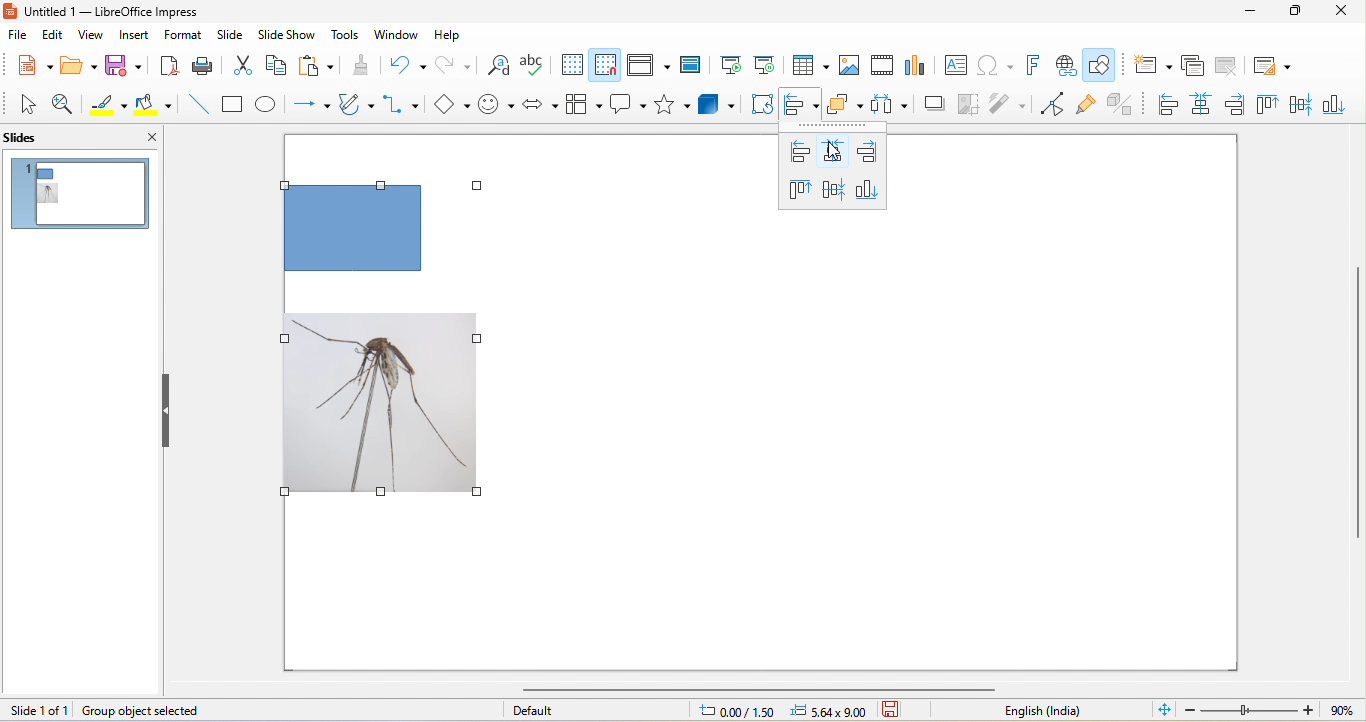  Describe the element at coordinates (734, 710) in the screenshot. I see `0.00/1.50` at that location.